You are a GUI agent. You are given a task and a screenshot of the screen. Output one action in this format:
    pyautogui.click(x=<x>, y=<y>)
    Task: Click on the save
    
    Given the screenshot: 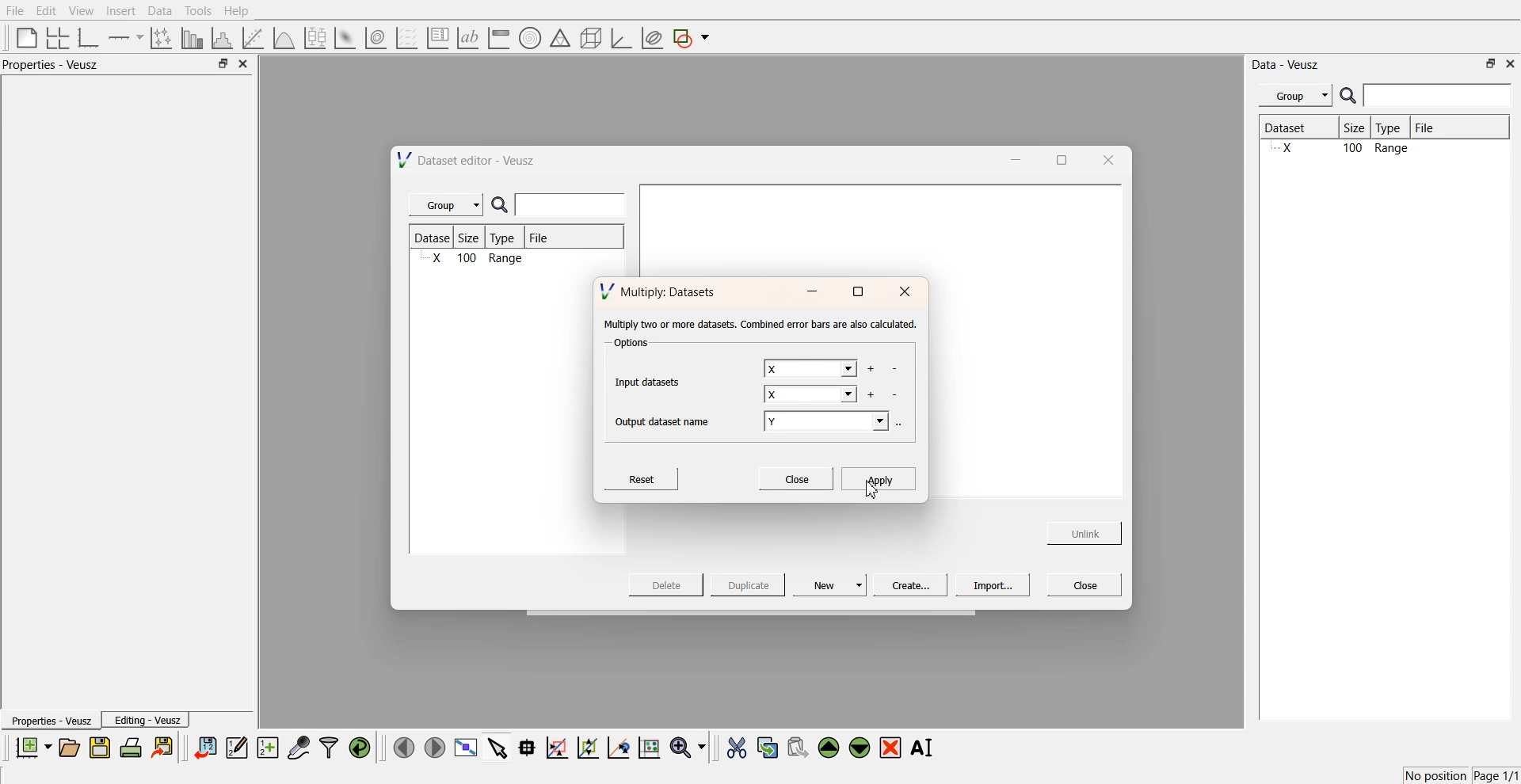 What is the action you would take?
    pyautogui.click(x=102, y=748)
    